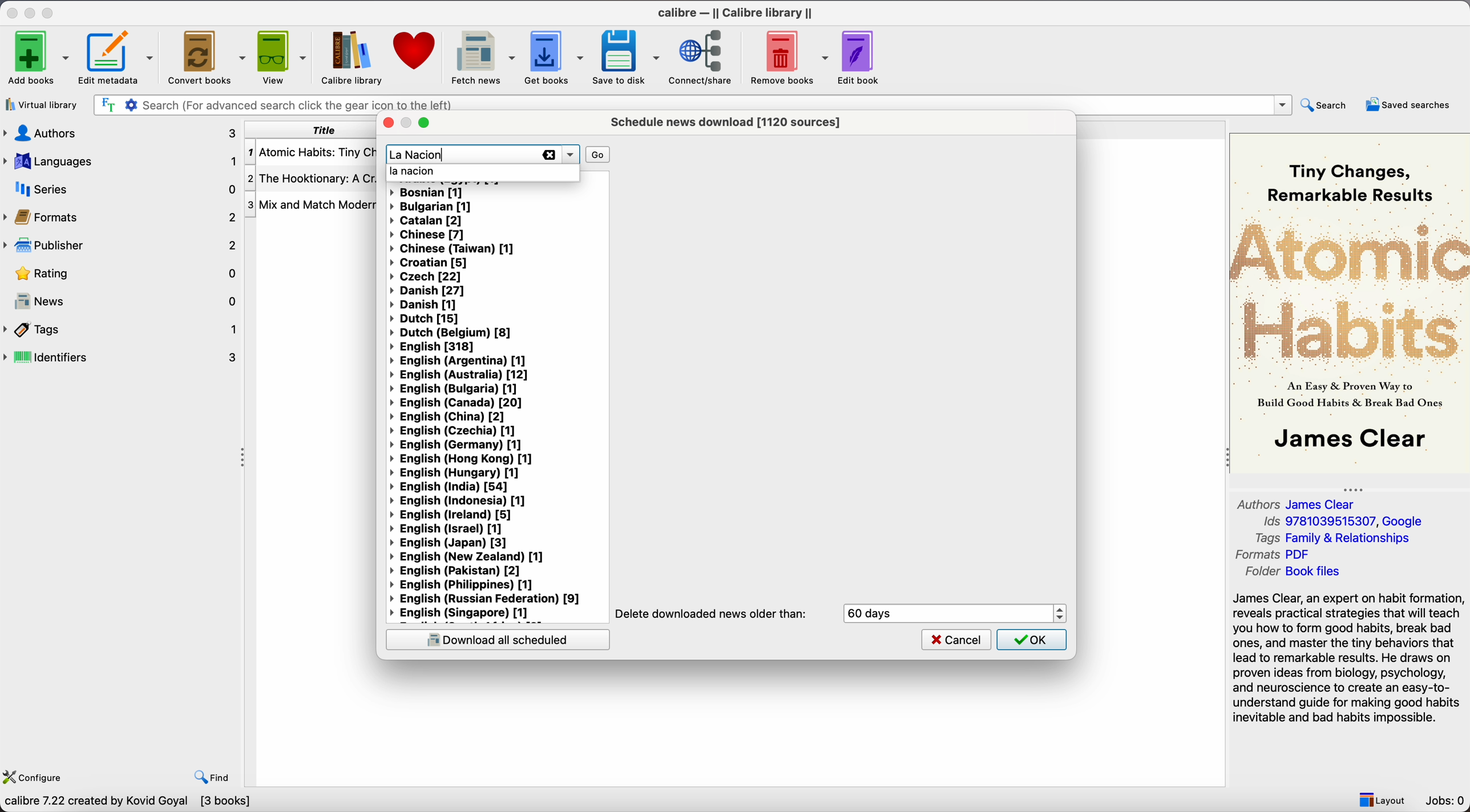 This screenshot has width=1470, height=812. What do you see at coordinates (481, 56) in the screenshot?
I see `click on fetch news options` at bounding box center [481, 56].